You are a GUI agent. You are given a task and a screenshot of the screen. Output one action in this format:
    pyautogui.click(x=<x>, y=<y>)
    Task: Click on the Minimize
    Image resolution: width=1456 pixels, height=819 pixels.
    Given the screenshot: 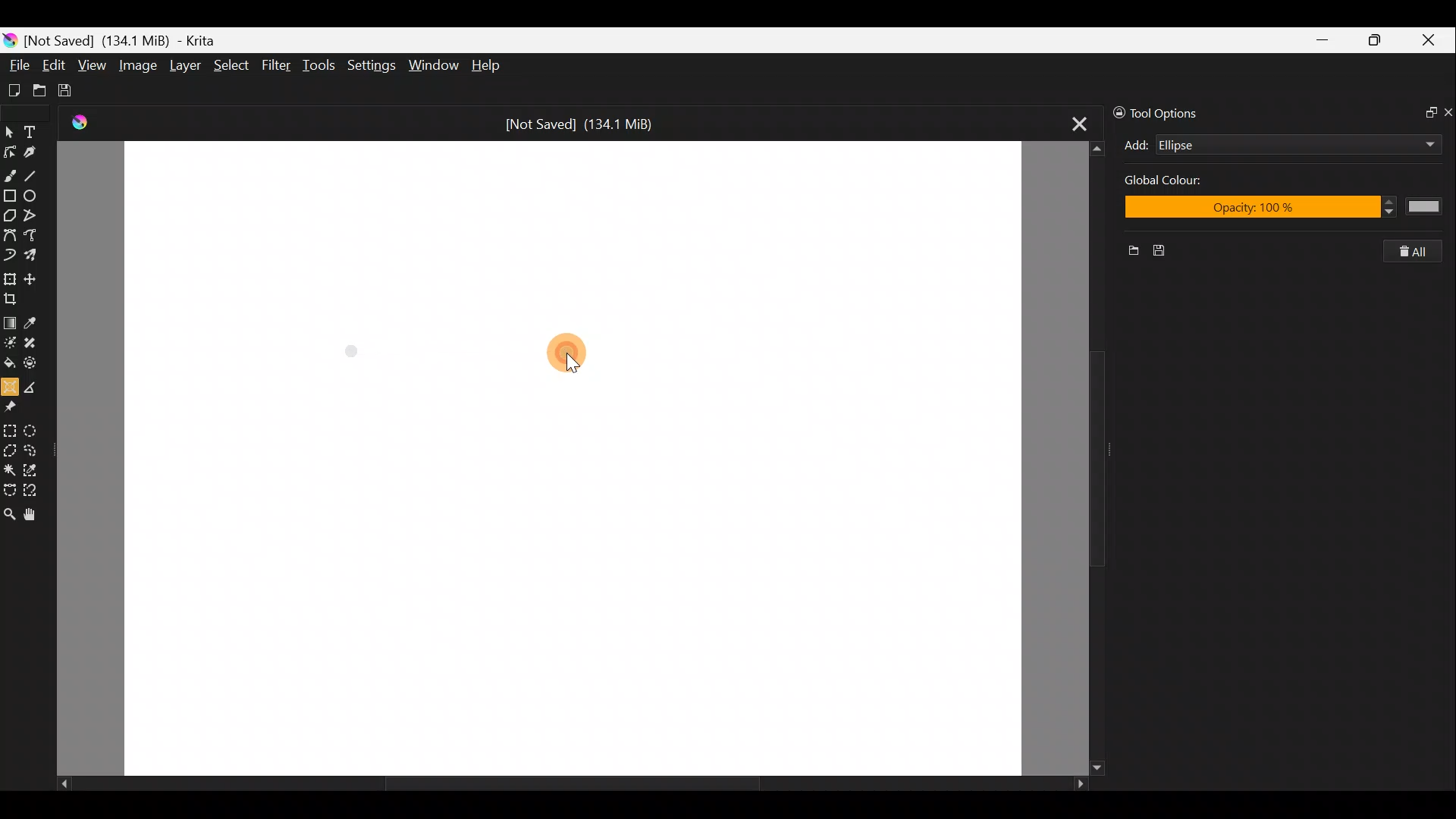 What is the action you would take?
    pyautogui.click(x=1324, y=39)
    